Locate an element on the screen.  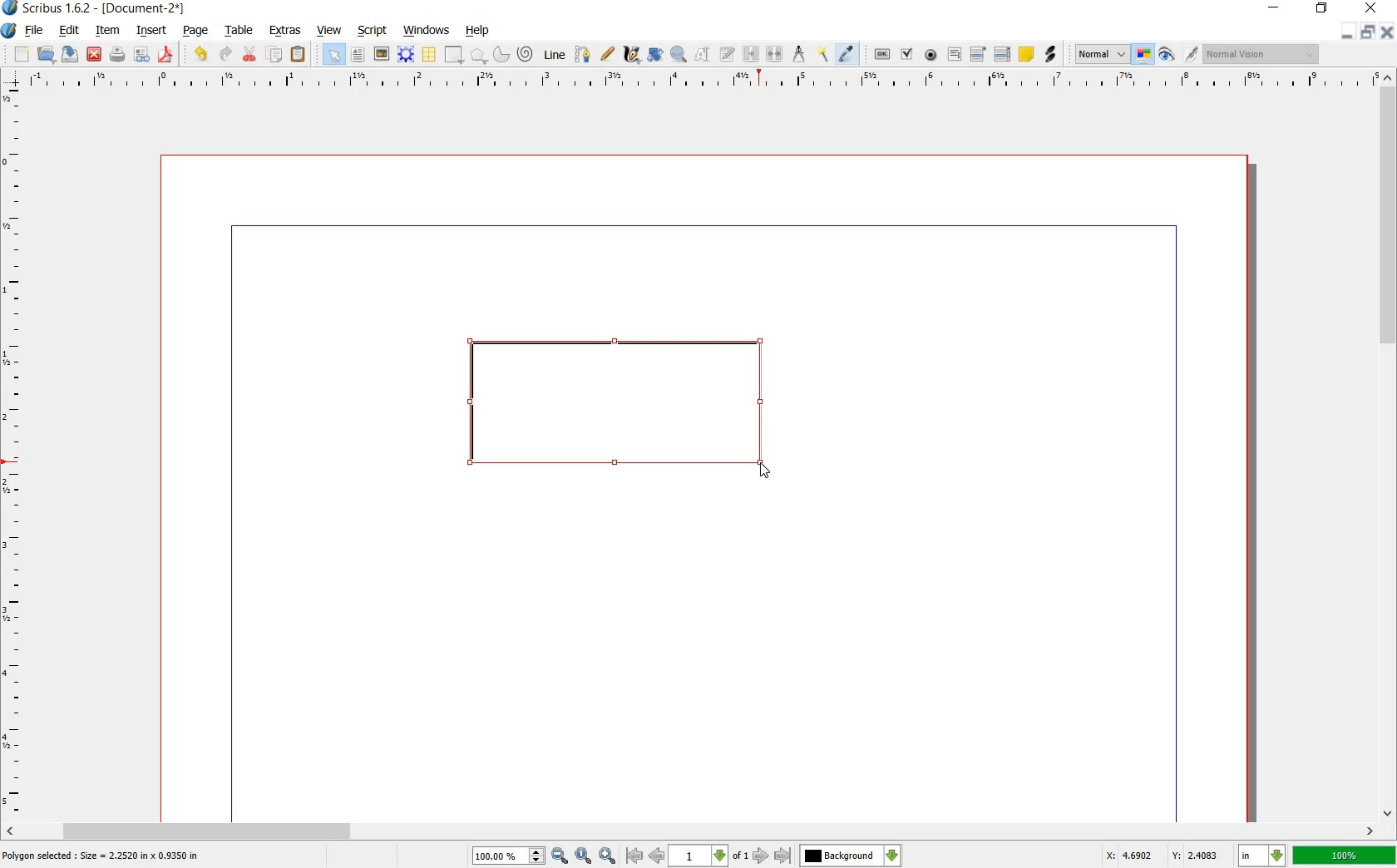
NEW is located at coordinates (21, 55).